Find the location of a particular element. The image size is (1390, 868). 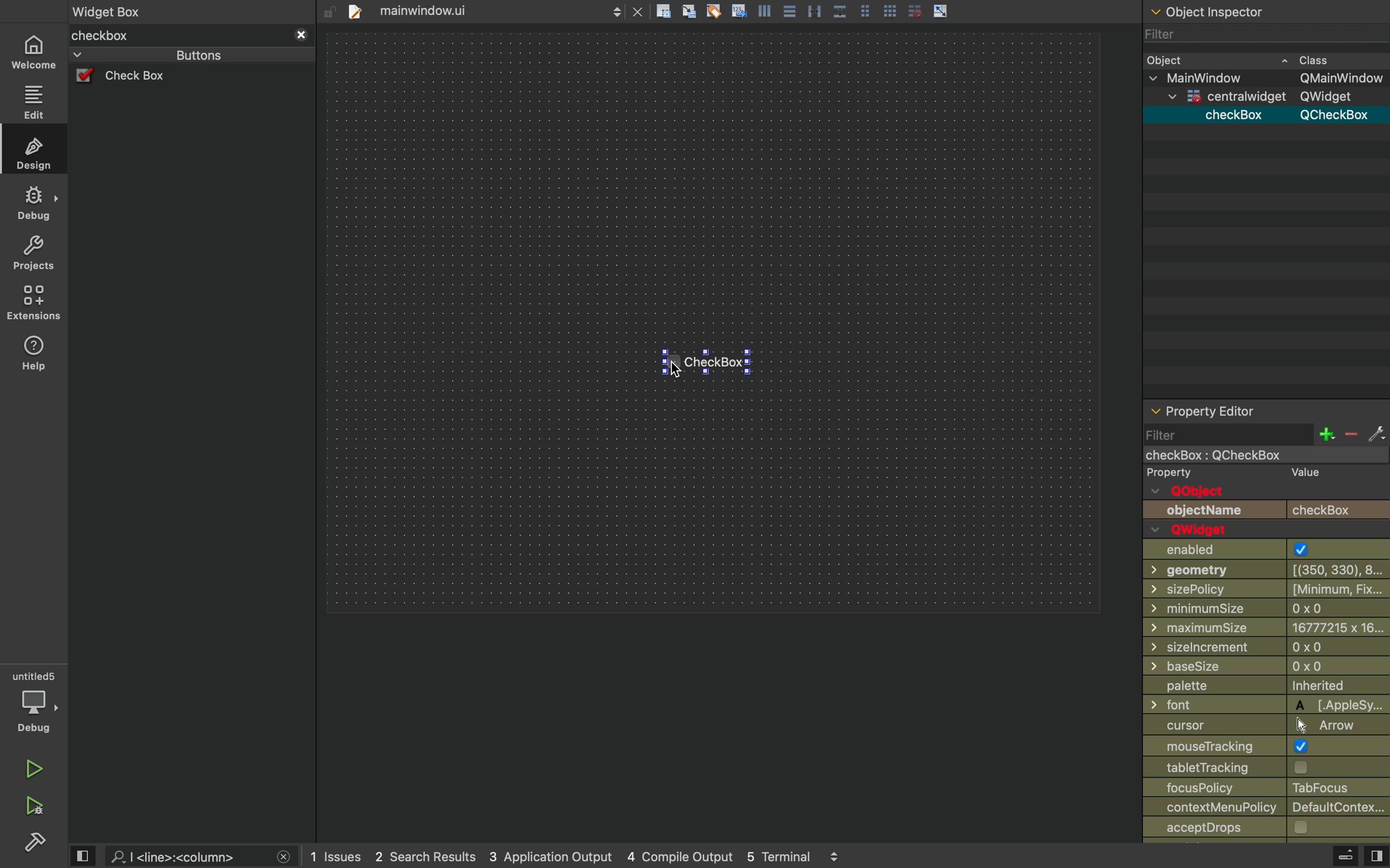

design area is located at coordinates (713, 323).